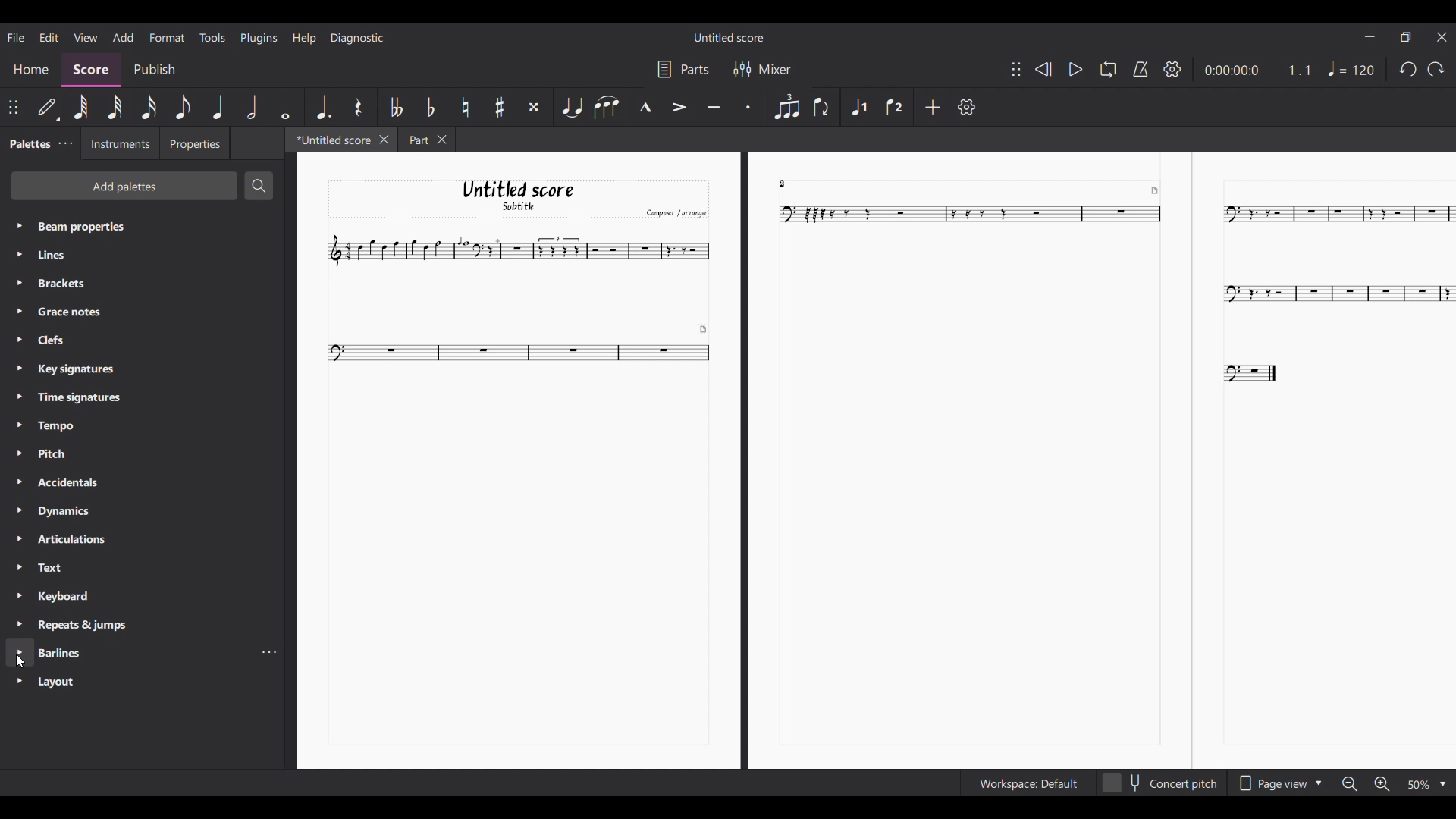  Describe the element at coordinates (195, 143) in the screenshot. I see `Properties tab` at that location.